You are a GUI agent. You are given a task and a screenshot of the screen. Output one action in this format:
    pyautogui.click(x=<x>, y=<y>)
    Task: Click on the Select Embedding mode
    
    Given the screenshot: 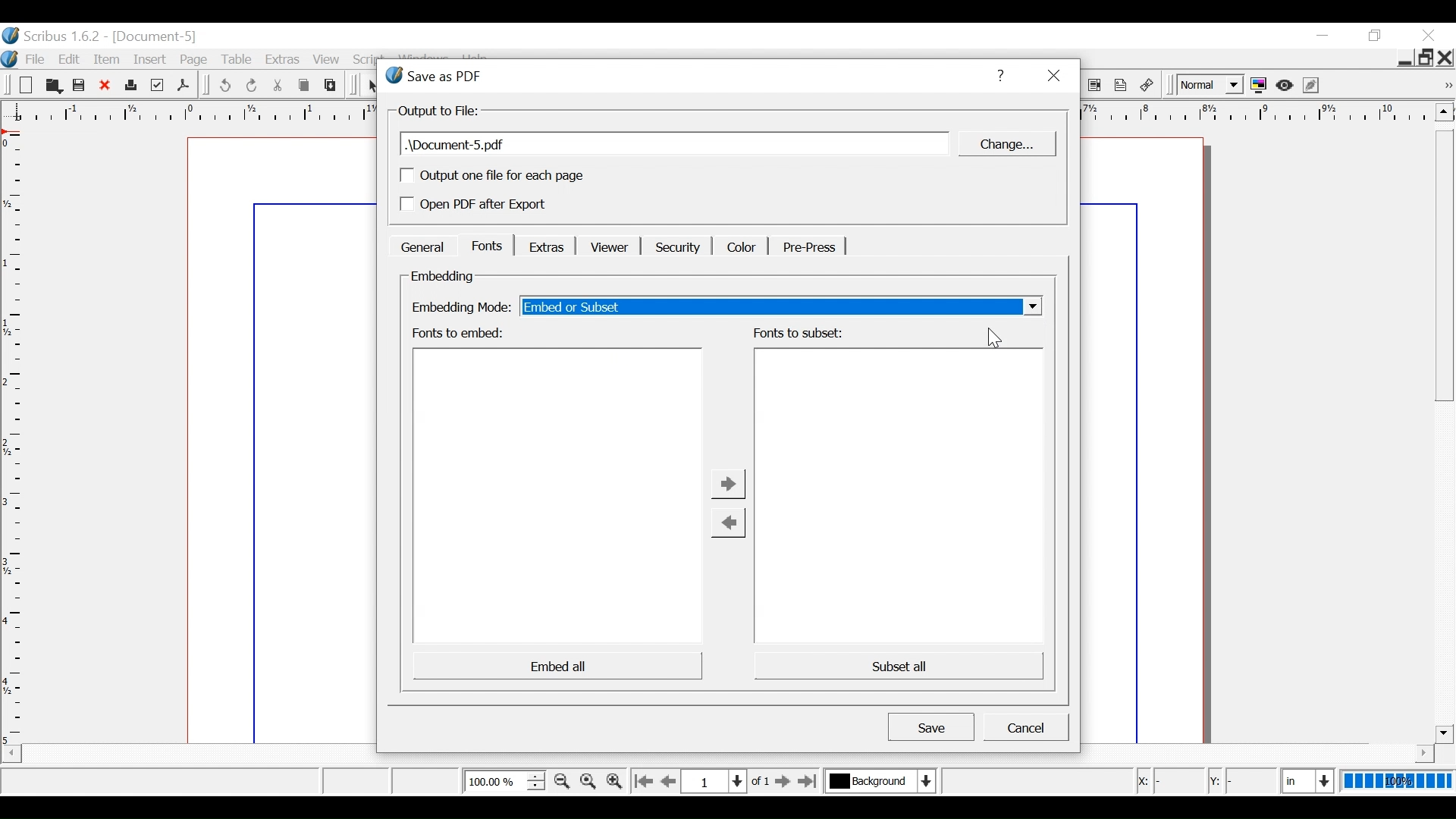 What is the action you would take?
    pyautogui.click(x=780, y=306)
    